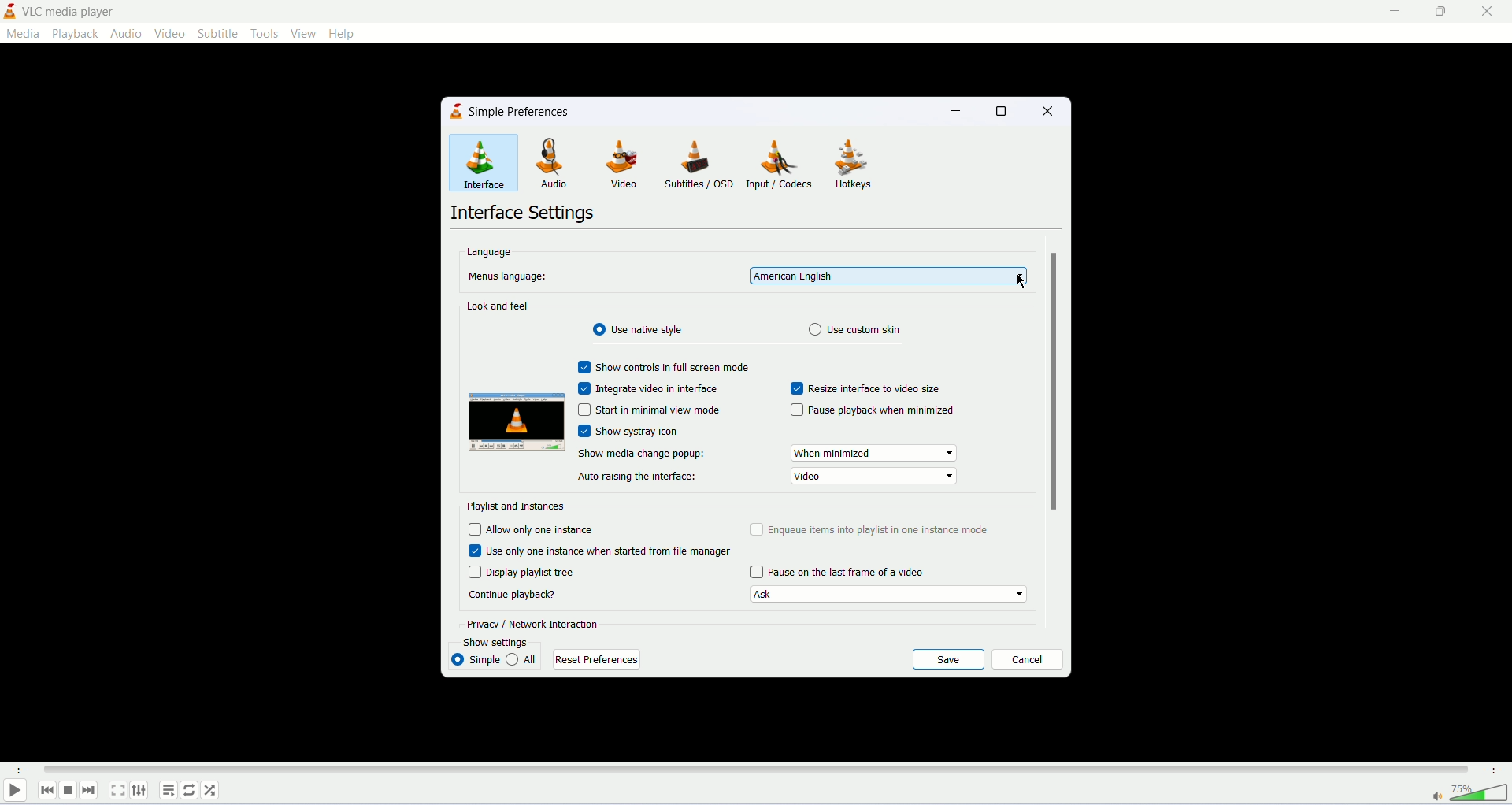  Describe the element at coordinates (1495, 771) in the screenshot. I see `total time` at that location.